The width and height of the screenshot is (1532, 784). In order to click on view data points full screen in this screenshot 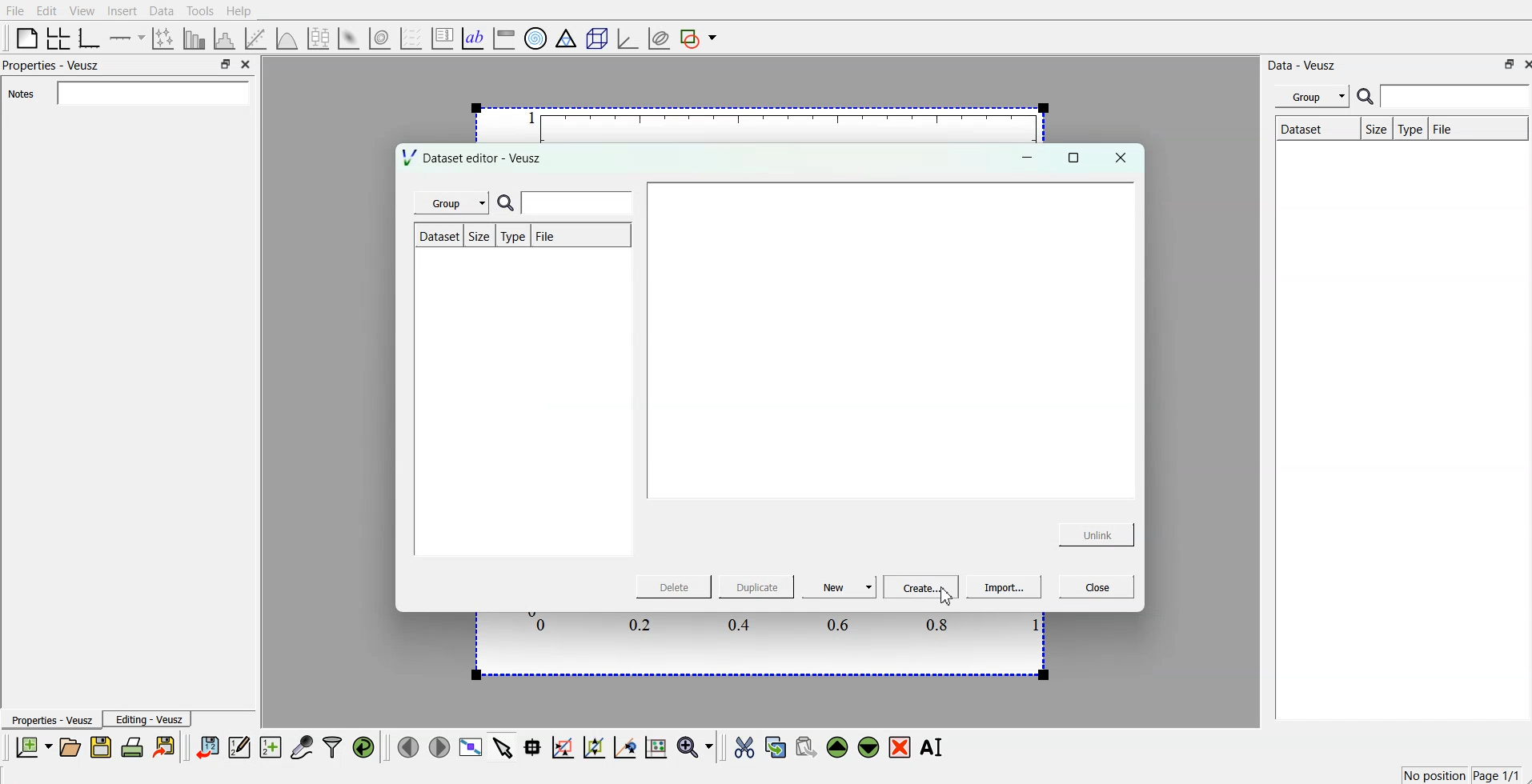, I will do `click(468, 748)`.